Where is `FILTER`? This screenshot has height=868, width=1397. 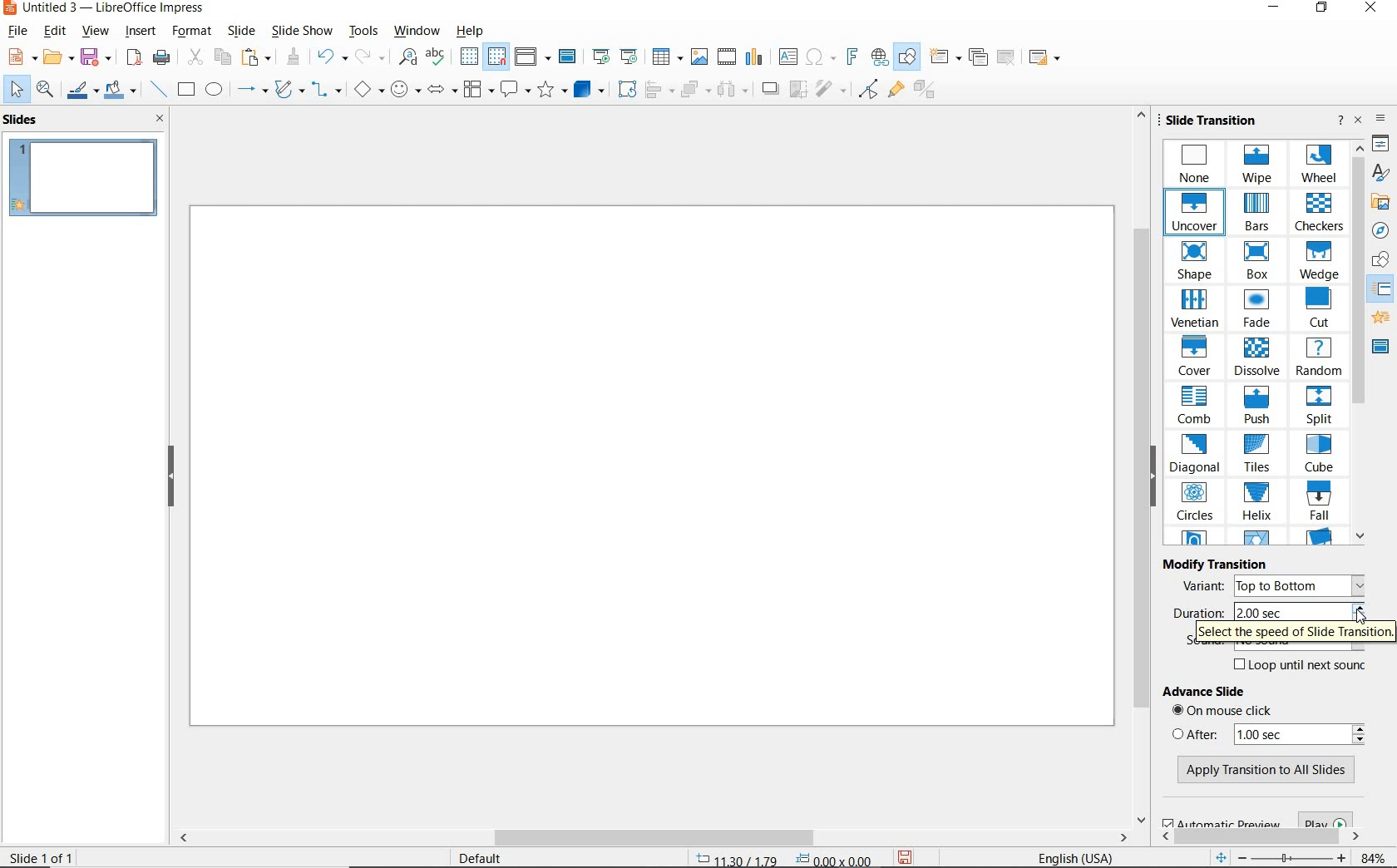
FILTER is located at coordinates (831, 91).